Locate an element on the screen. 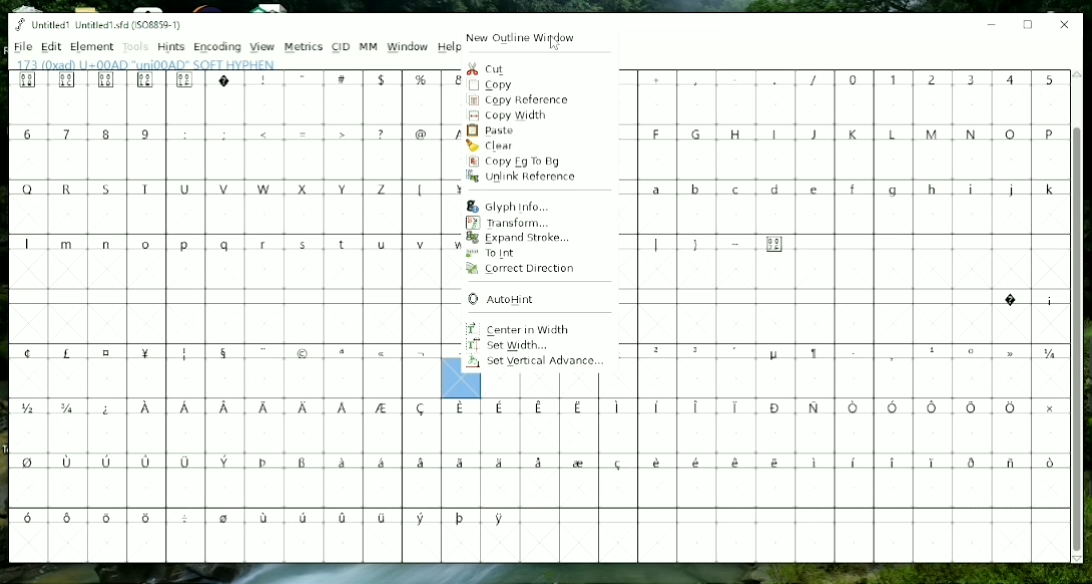 This screenshot has width=1092, height=584. cursor is located at coordinates (556, 47).